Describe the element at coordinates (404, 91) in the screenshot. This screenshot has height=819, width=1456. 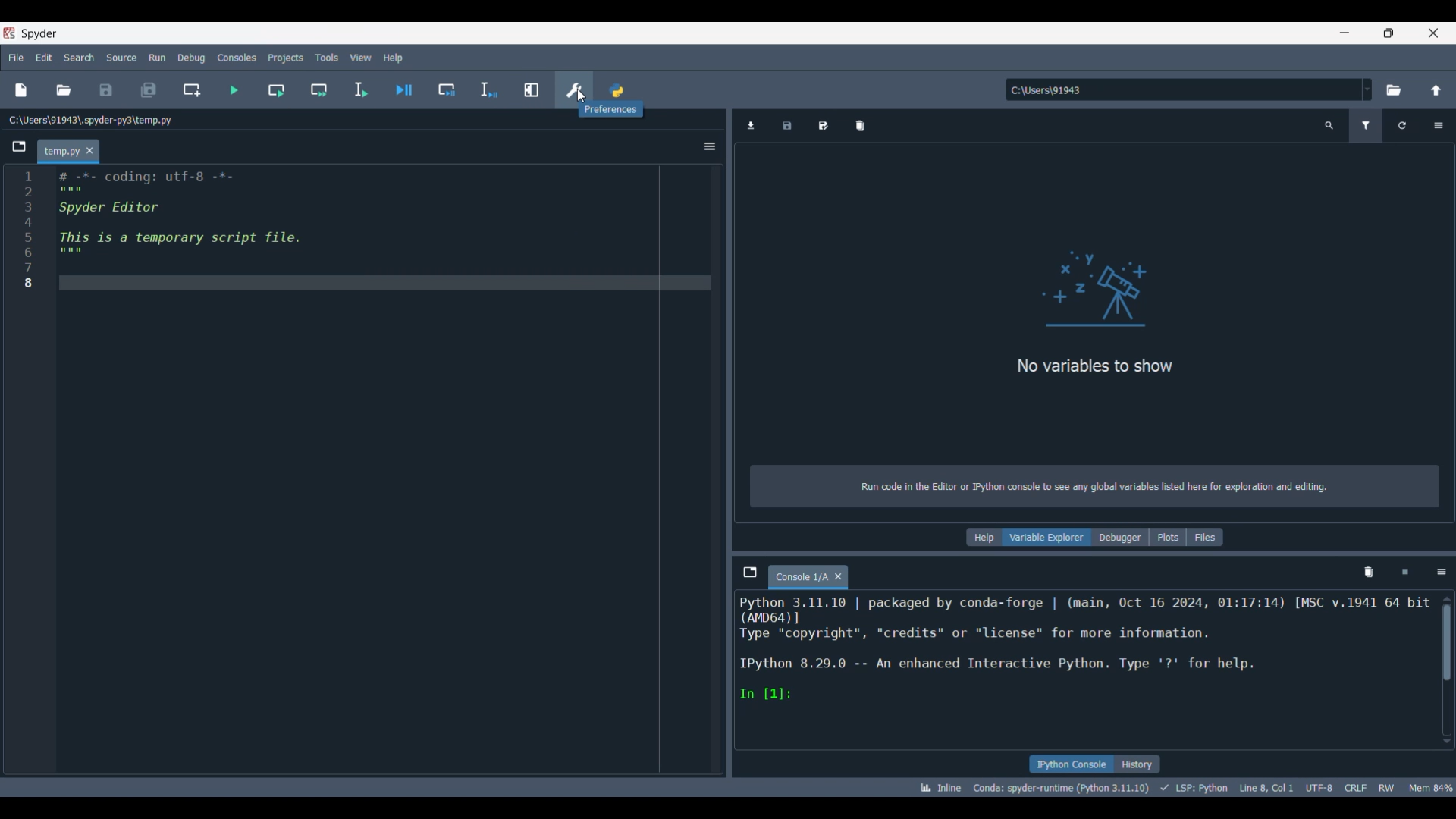
I see `Debug file` at that location.